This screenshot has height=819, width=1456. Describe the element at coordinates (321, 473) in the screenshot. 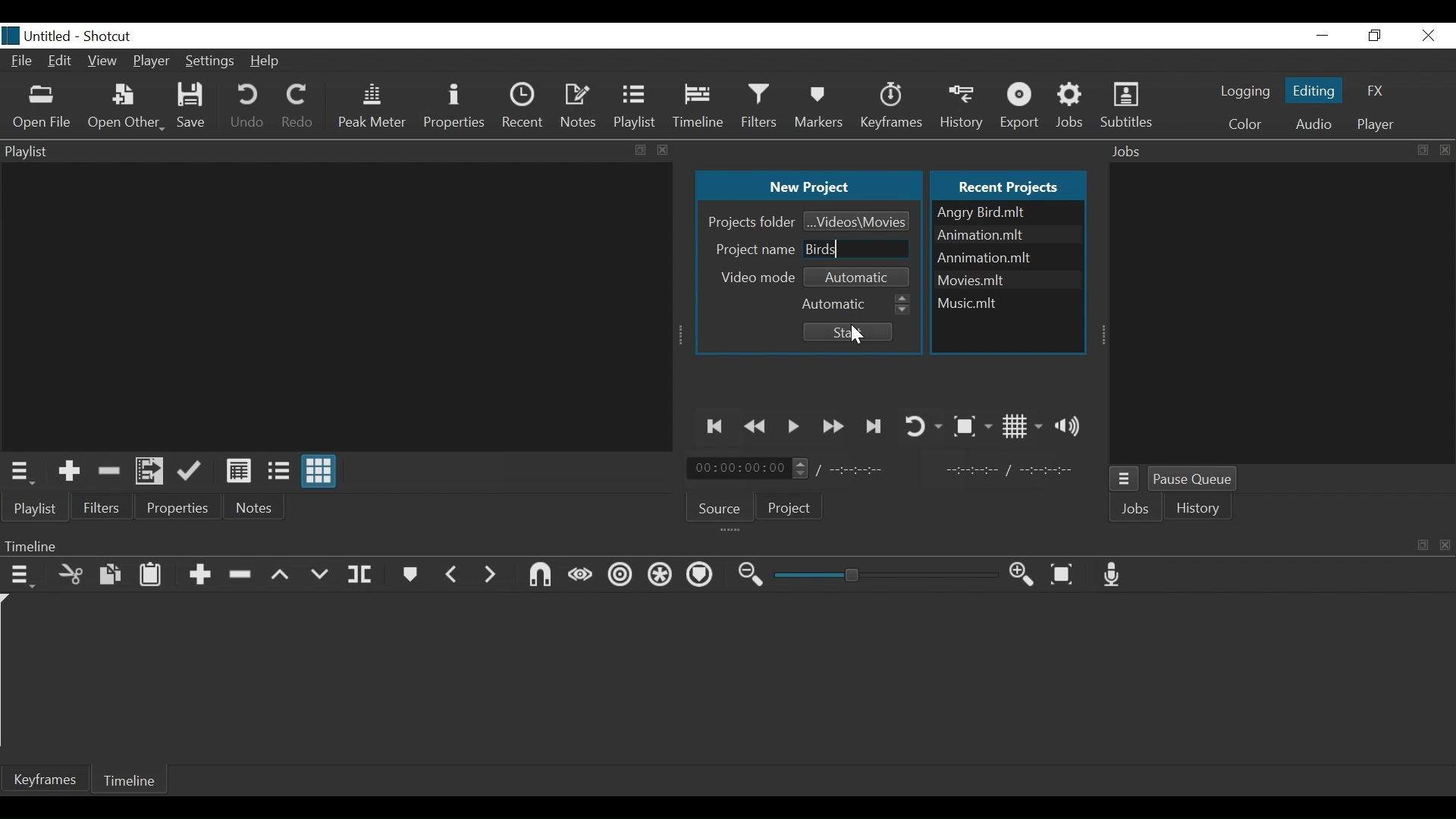

I see `View as icons` at that location.